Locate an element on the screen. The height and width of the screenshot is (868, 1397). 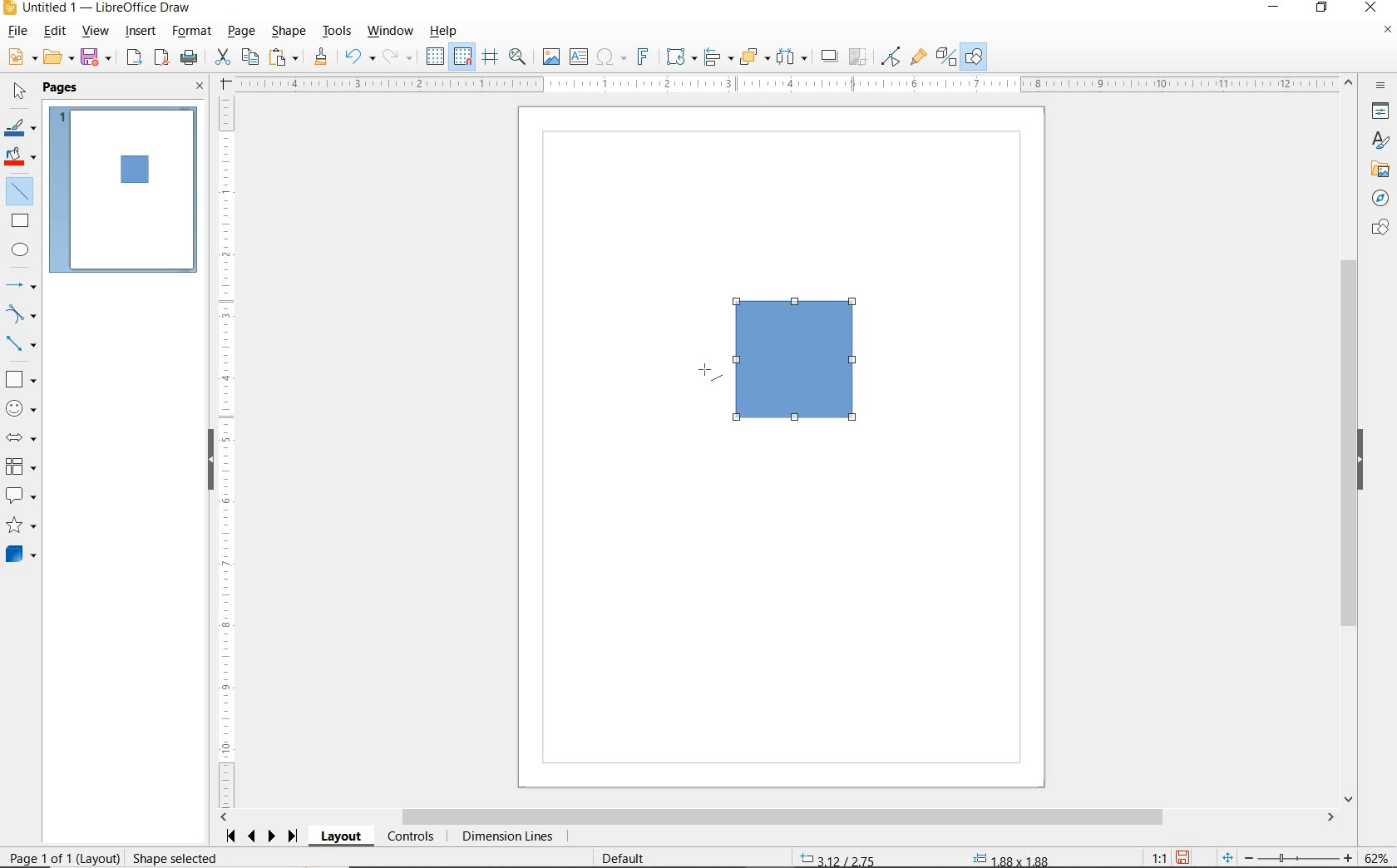
HELP is located at coordinates (447, 31).